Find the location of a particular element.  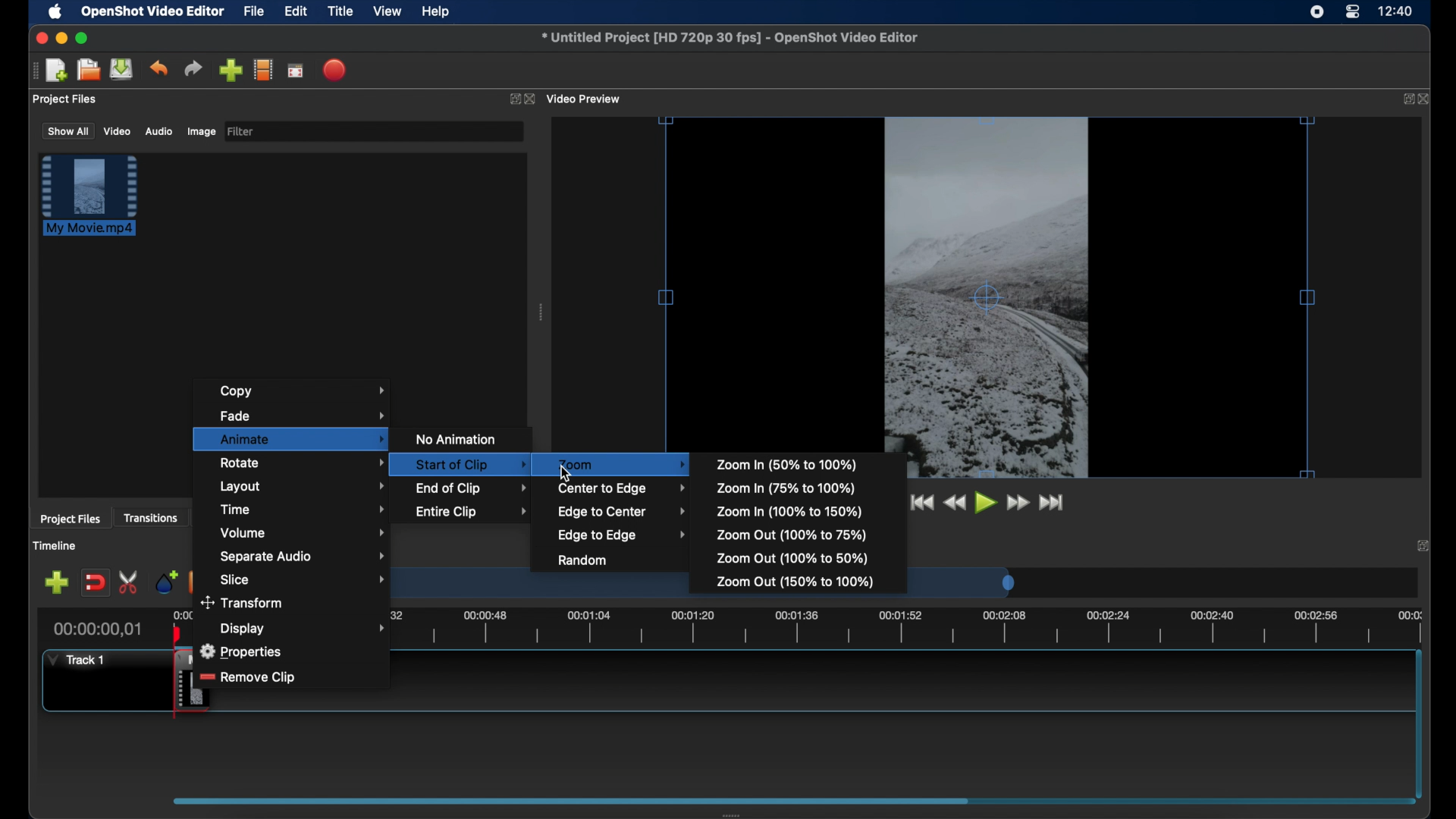

zoom in is located at coordinates (789, 463).